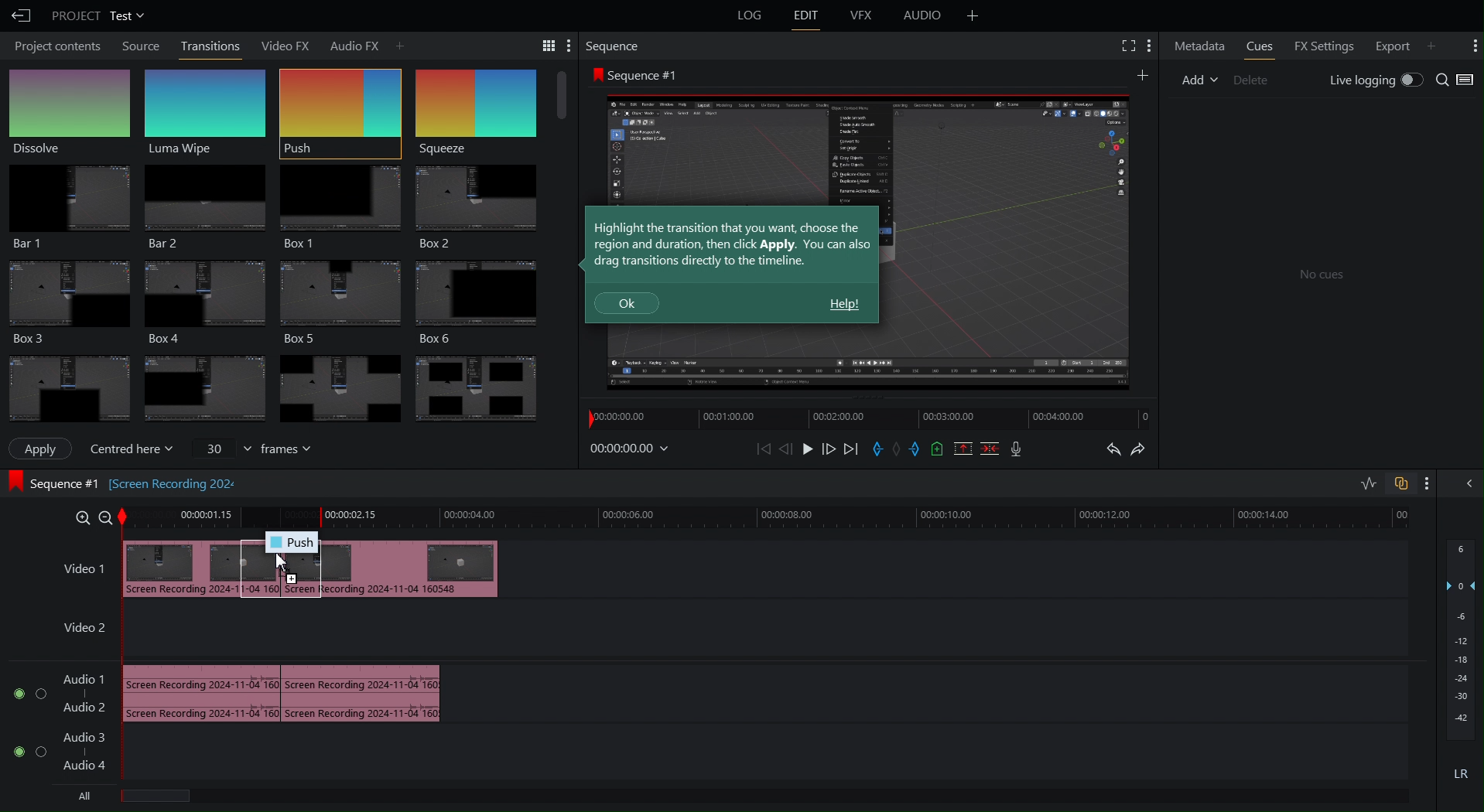  I want to click on Transitions, so click(211, 45).